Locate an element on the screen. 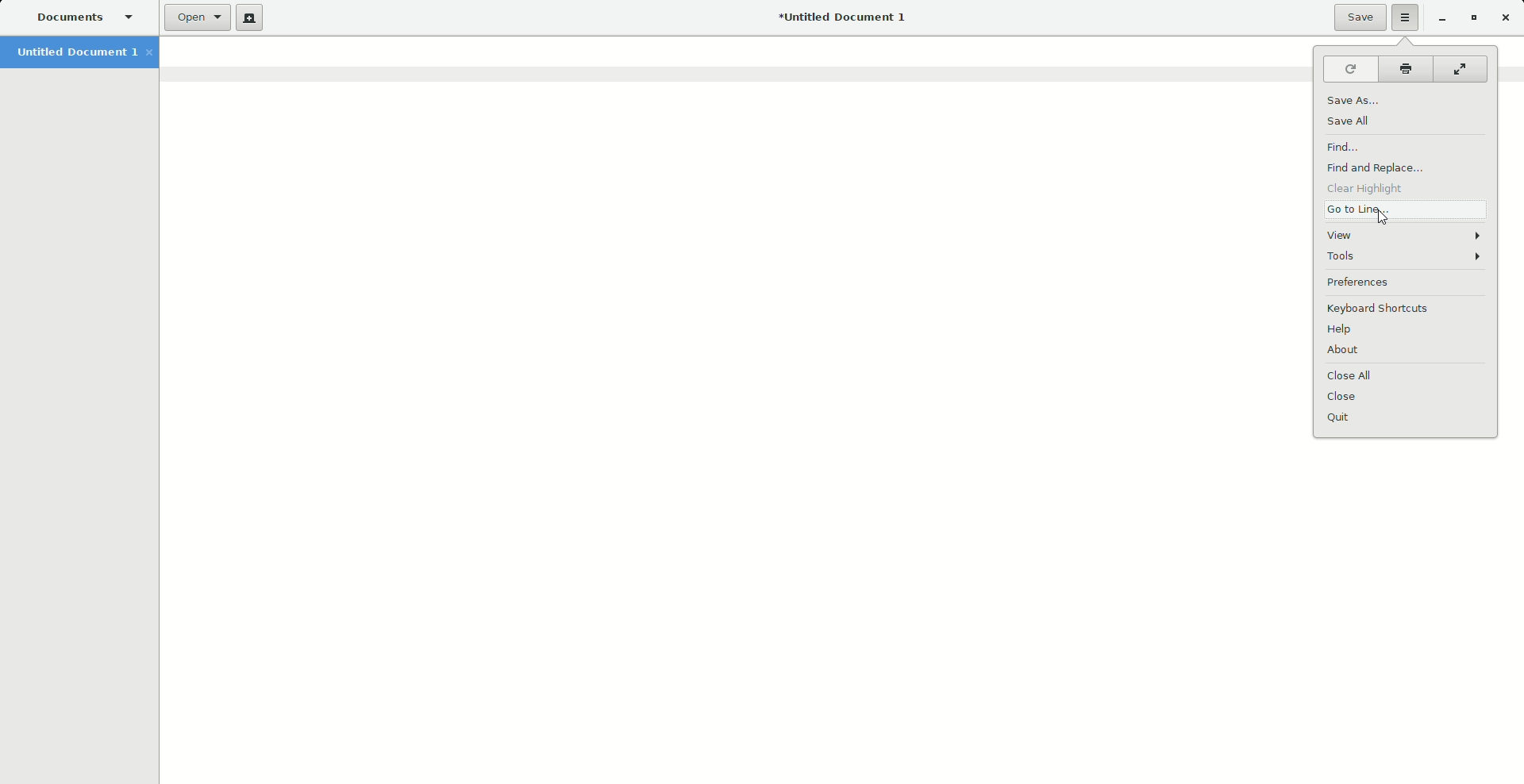 The image size is (1524, 784). Close is located at coordinates (1506, 17).